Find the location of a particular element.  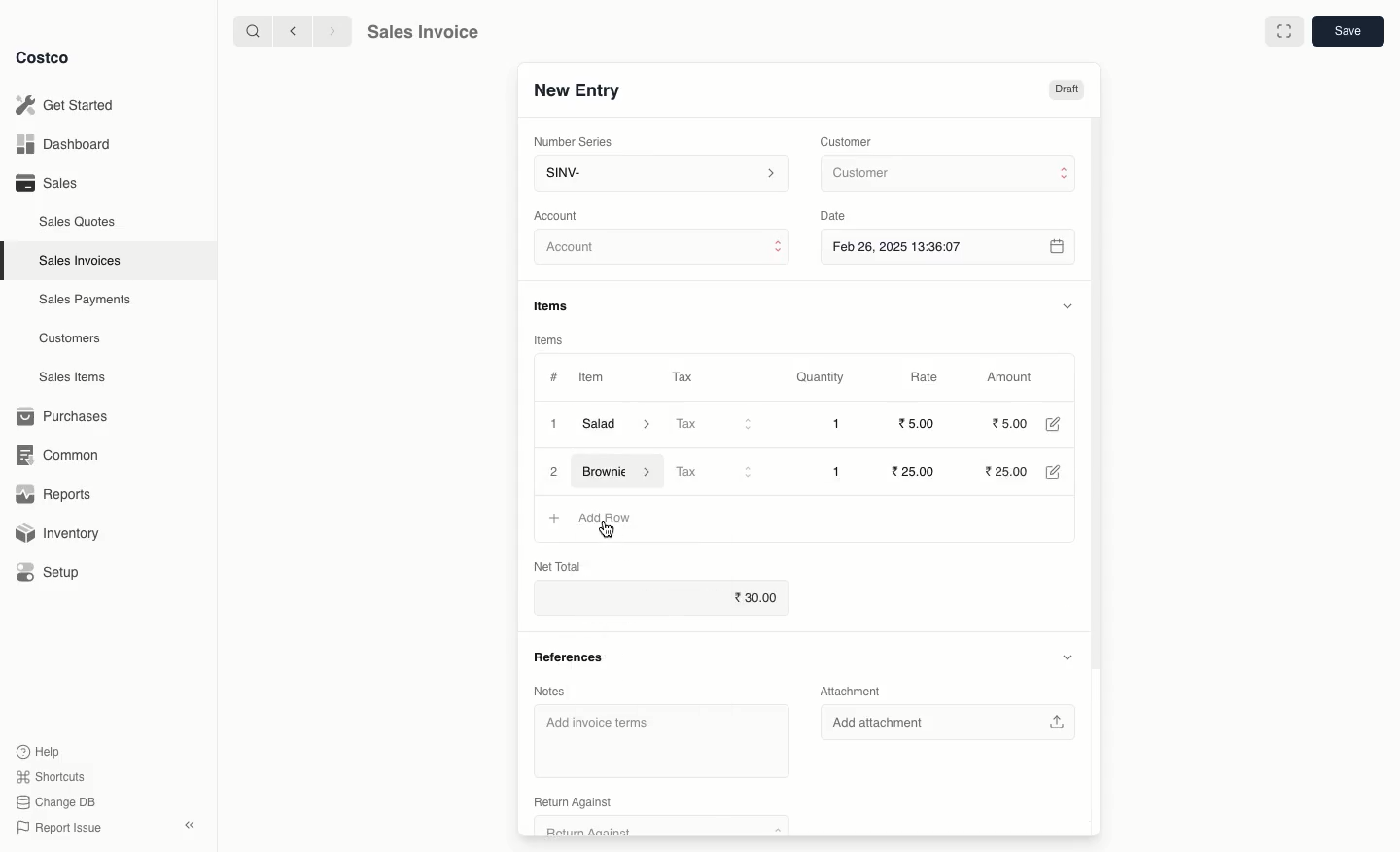

Feb 26, 2025 13:36:07 is located at coordinates (950, 246).